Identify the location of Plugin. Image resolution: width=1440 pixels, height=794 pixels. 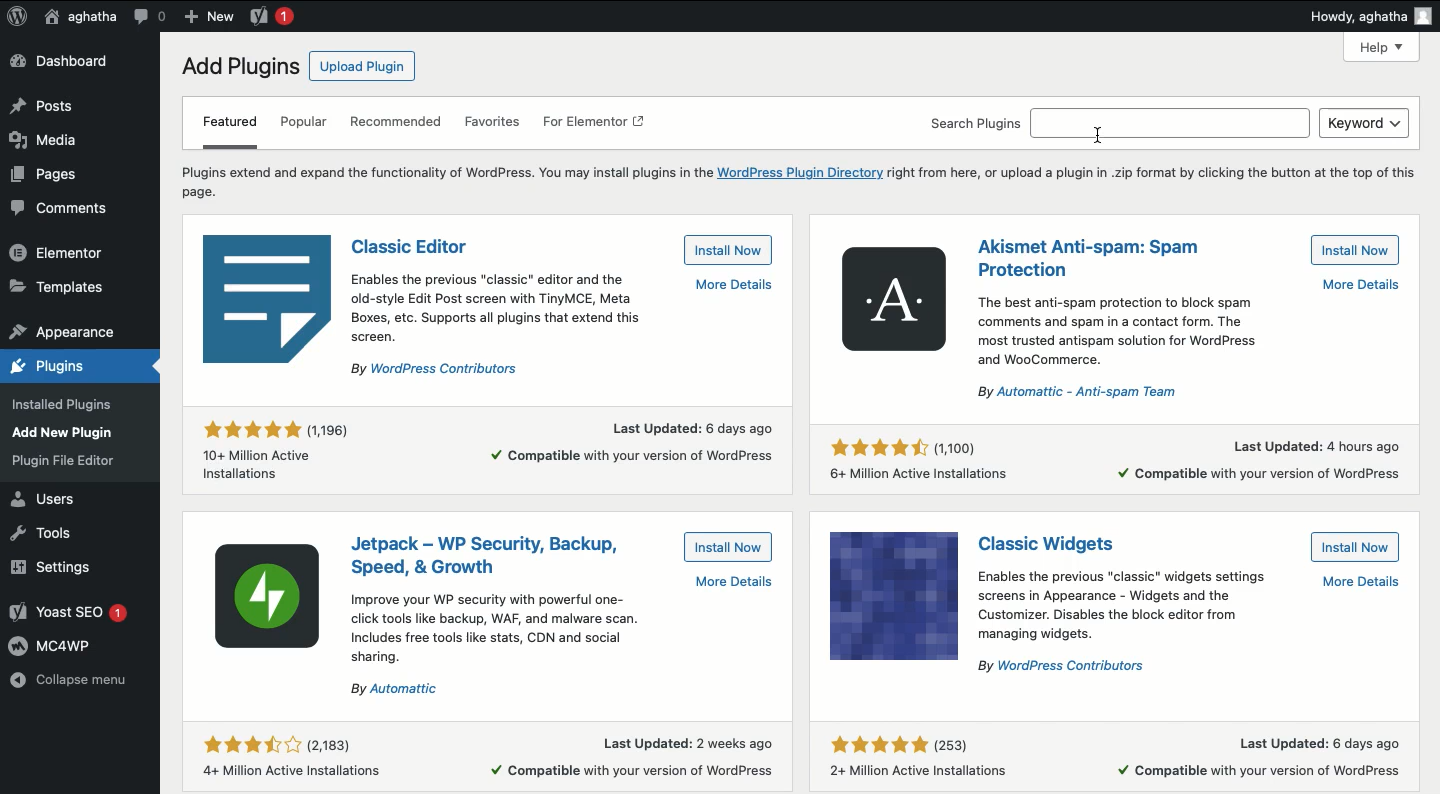
(487, 552).